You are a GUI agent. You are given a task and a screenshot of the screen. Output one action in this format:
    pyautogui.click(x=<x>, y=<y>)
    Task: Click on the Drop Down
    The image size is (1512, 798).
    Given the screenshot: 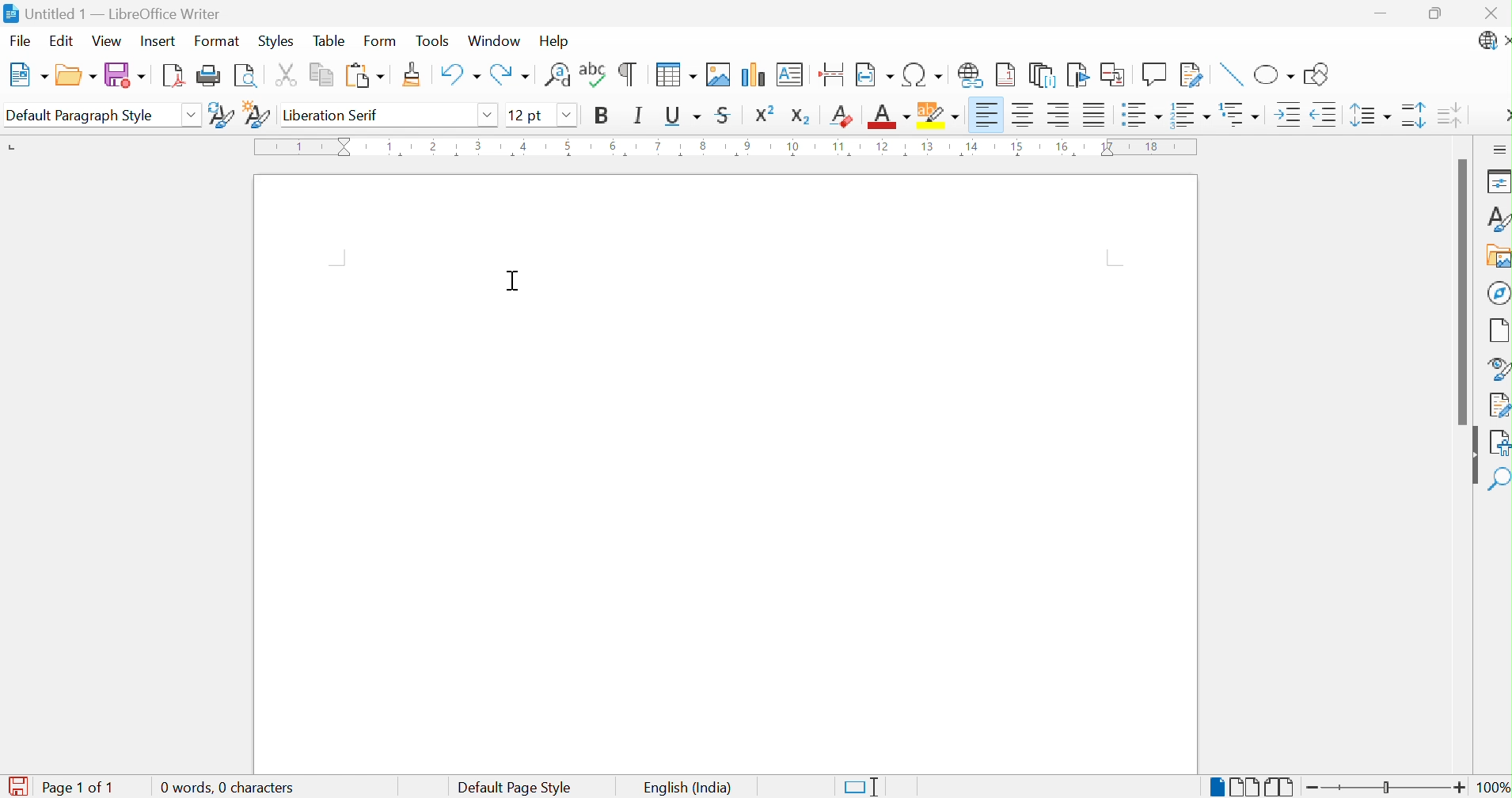 What is the action you would take?
    pyautogui.click(x=566, y=116)
    